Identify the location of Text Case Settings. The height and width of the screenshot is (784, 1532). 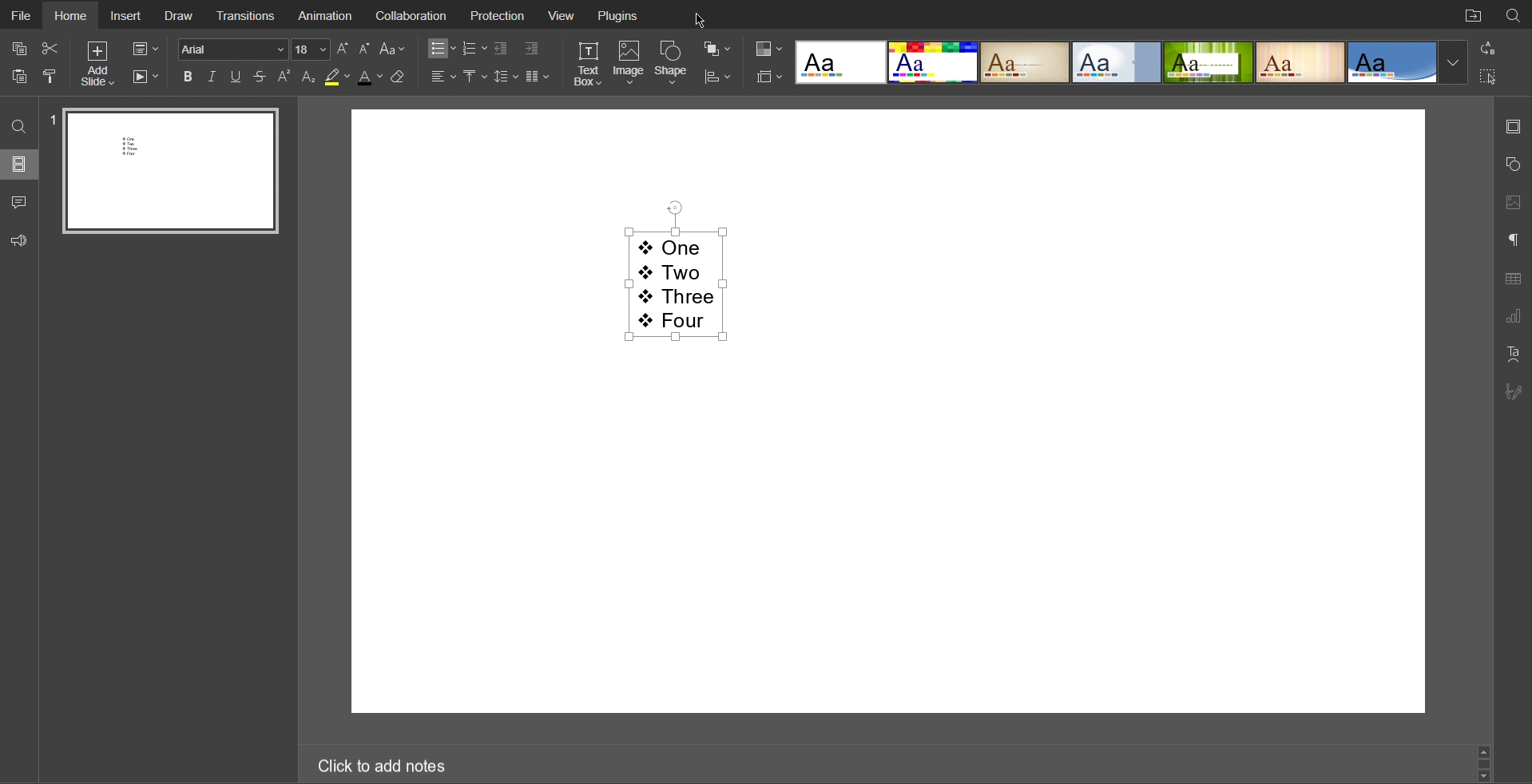
(390, 49).